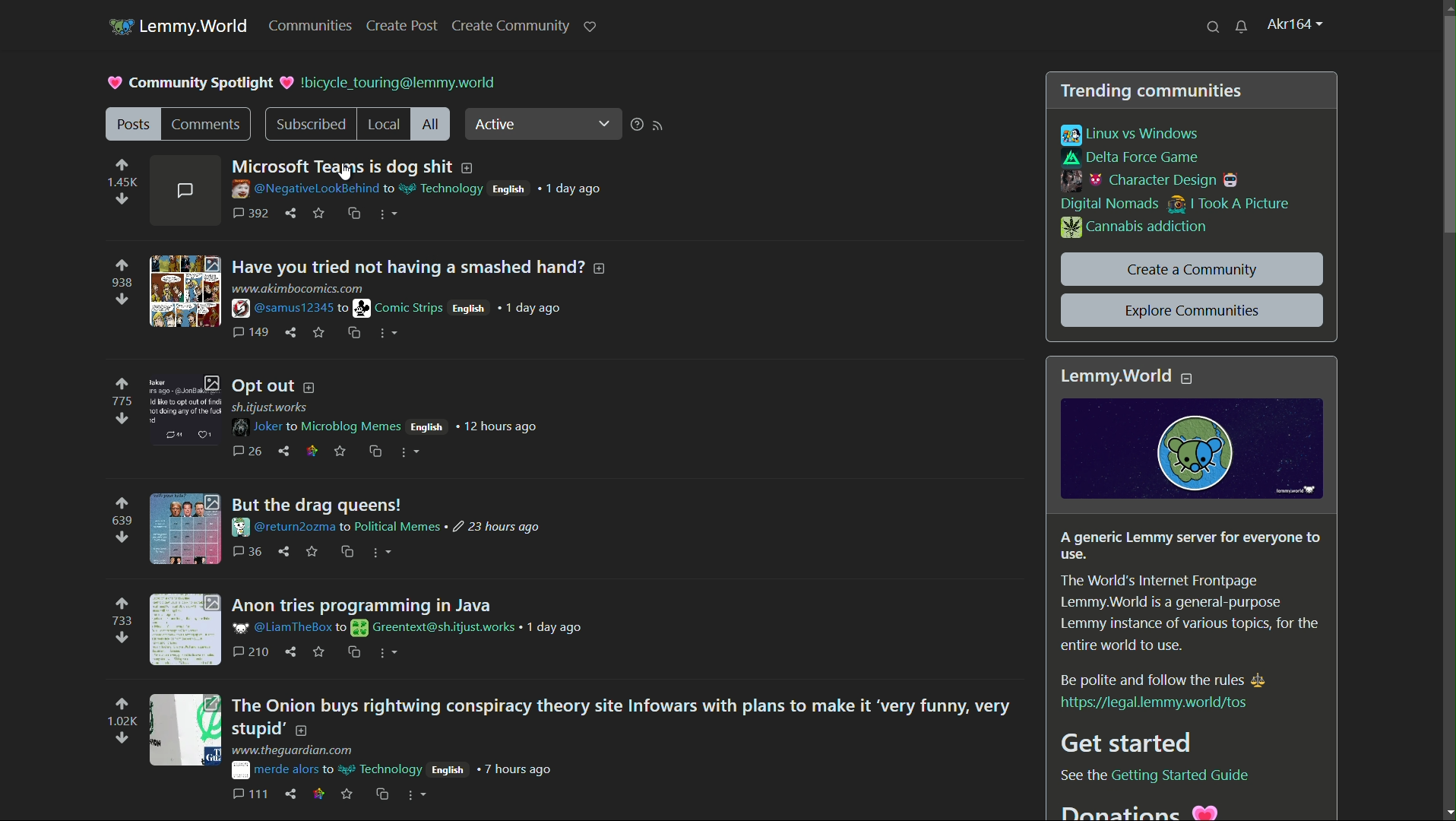  I want to click on post details, so click(405, 300).